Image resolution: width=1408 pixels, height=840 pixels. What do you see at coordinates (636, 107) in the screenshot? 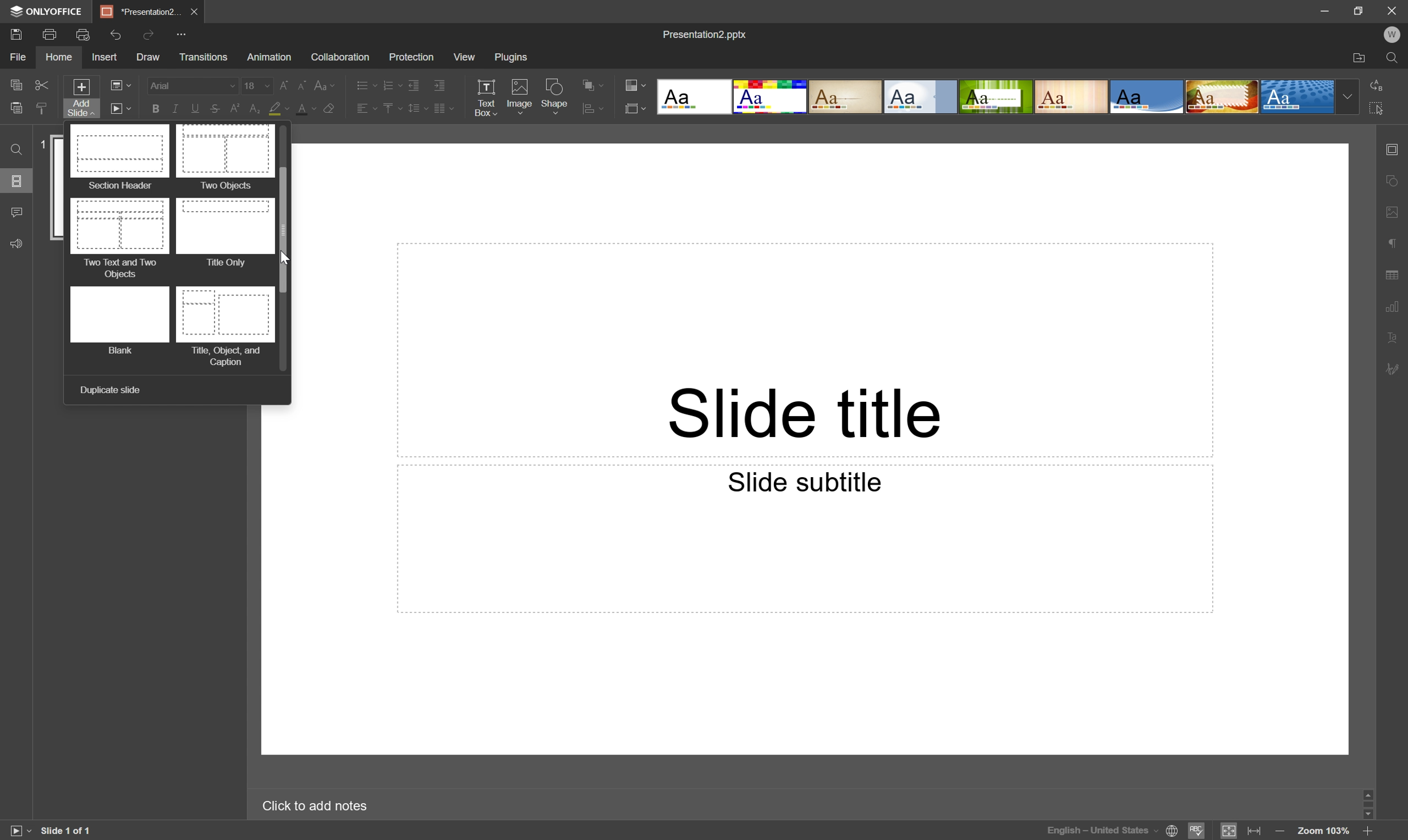
I see `Select slide layout` at bounding box center [636, 107].